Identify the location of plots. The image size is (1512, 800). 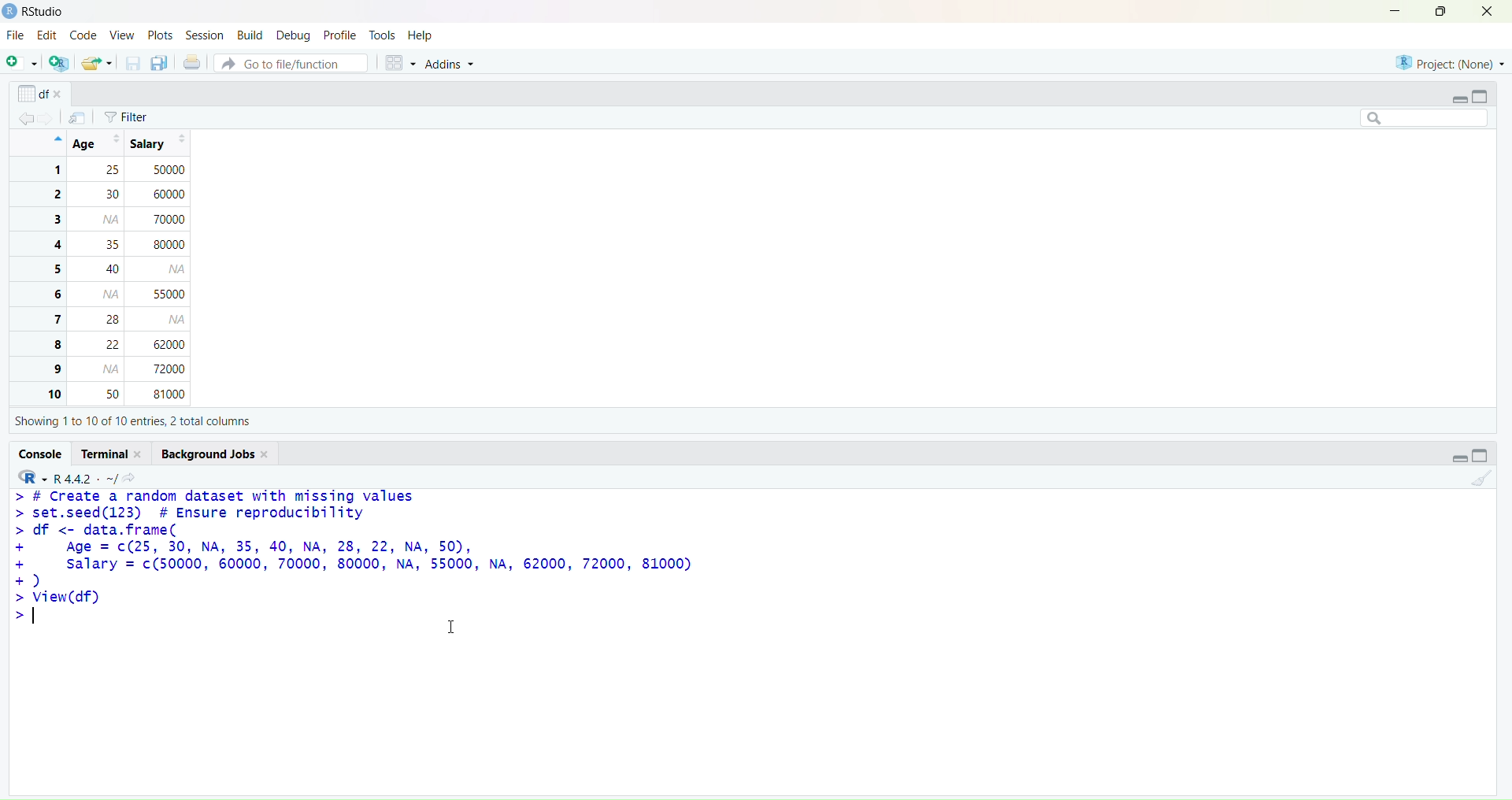
(160, 34).